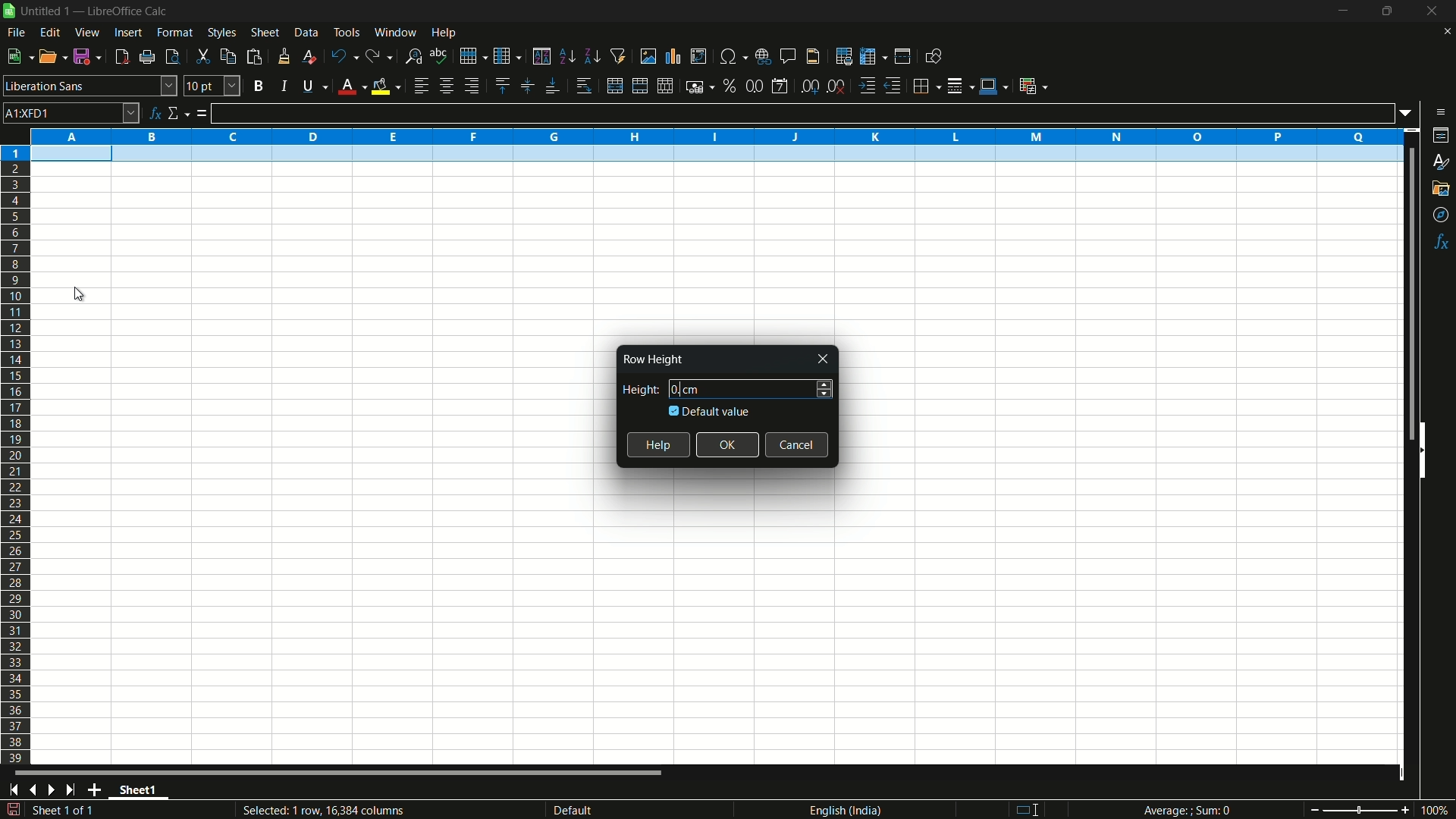  Describe the element at coordinates (155, 113) in the screenshot. I see `function wizard` at that location.